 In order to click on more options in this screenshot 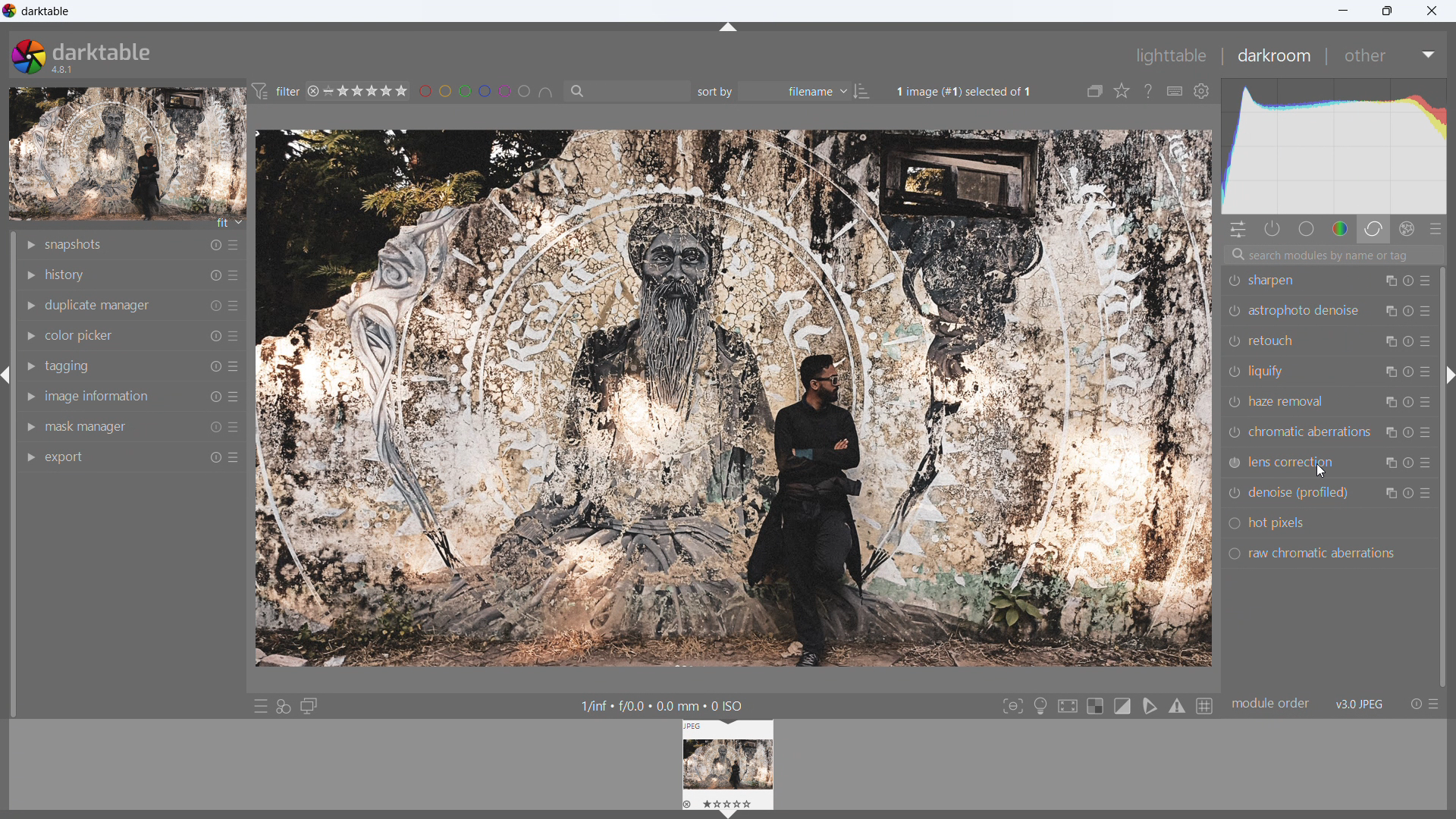, I will do `click(235, 245)`.